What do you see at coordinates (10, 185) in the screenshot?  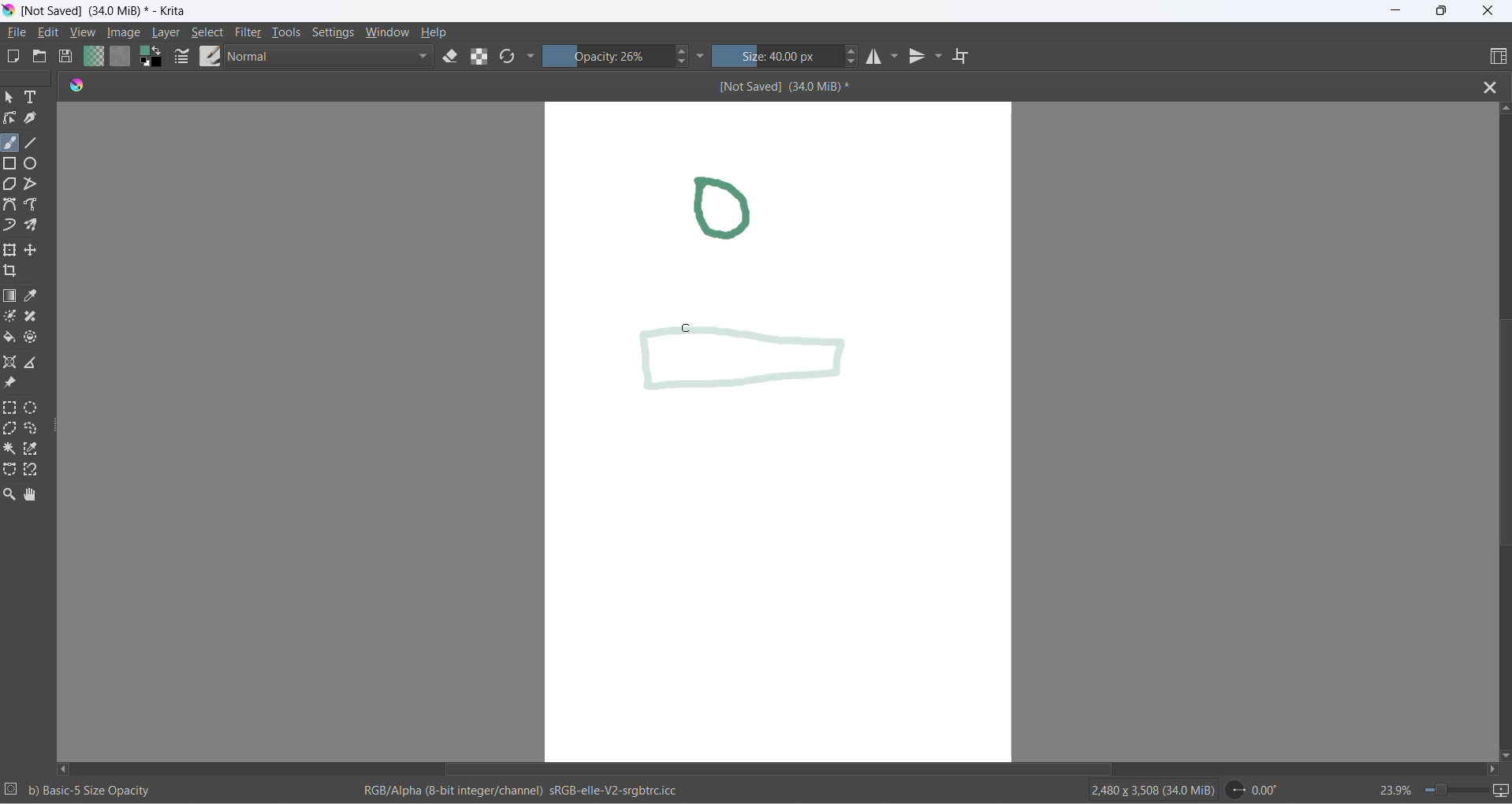 I see `polygon tool` at bounding box center [10, 185].